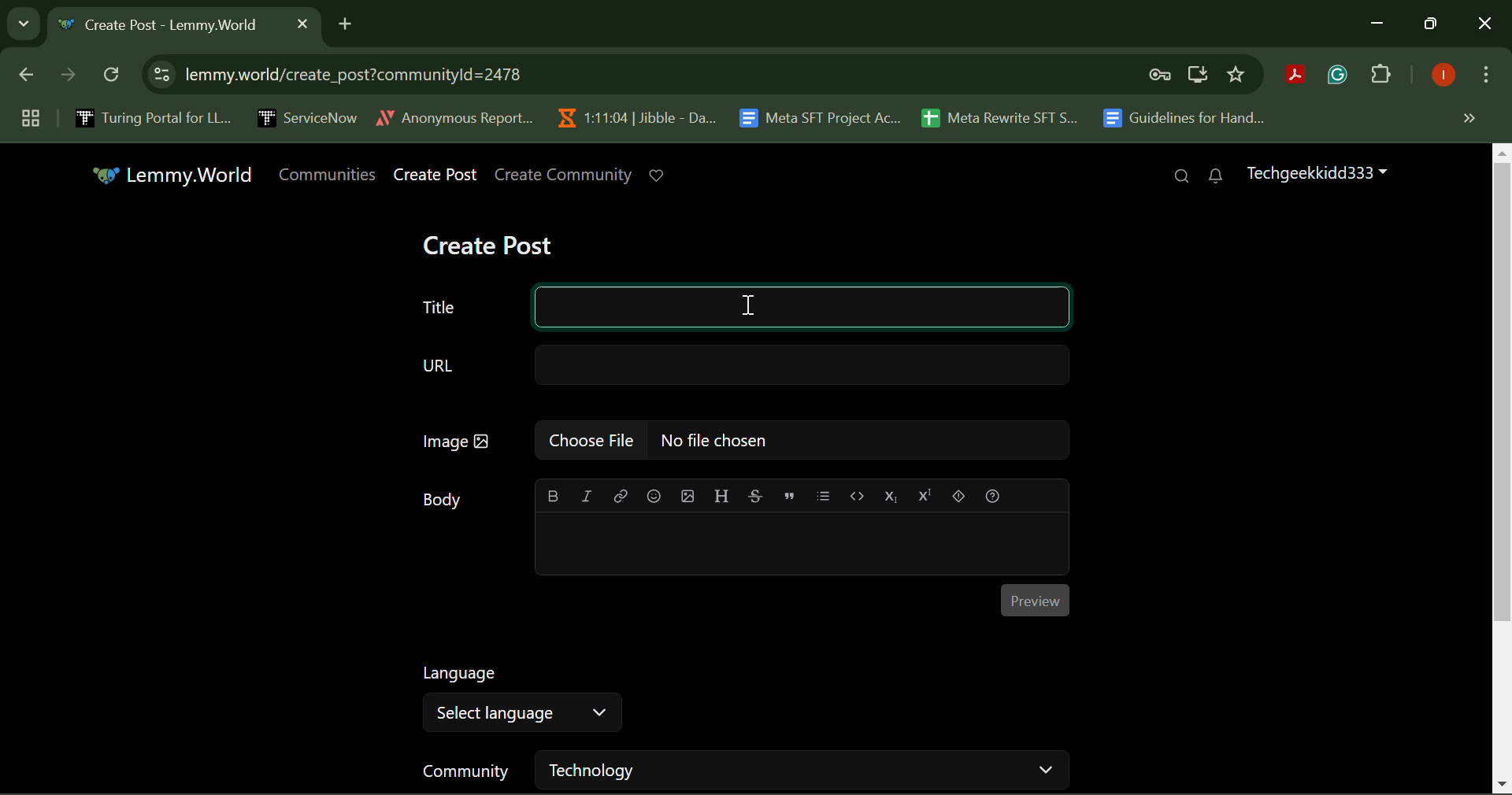 The width and height of the screenshot is (1512, 795). Describe the element at coordinates (487, 243) in the screenshot. I see `Create Post Heading ` at that location.